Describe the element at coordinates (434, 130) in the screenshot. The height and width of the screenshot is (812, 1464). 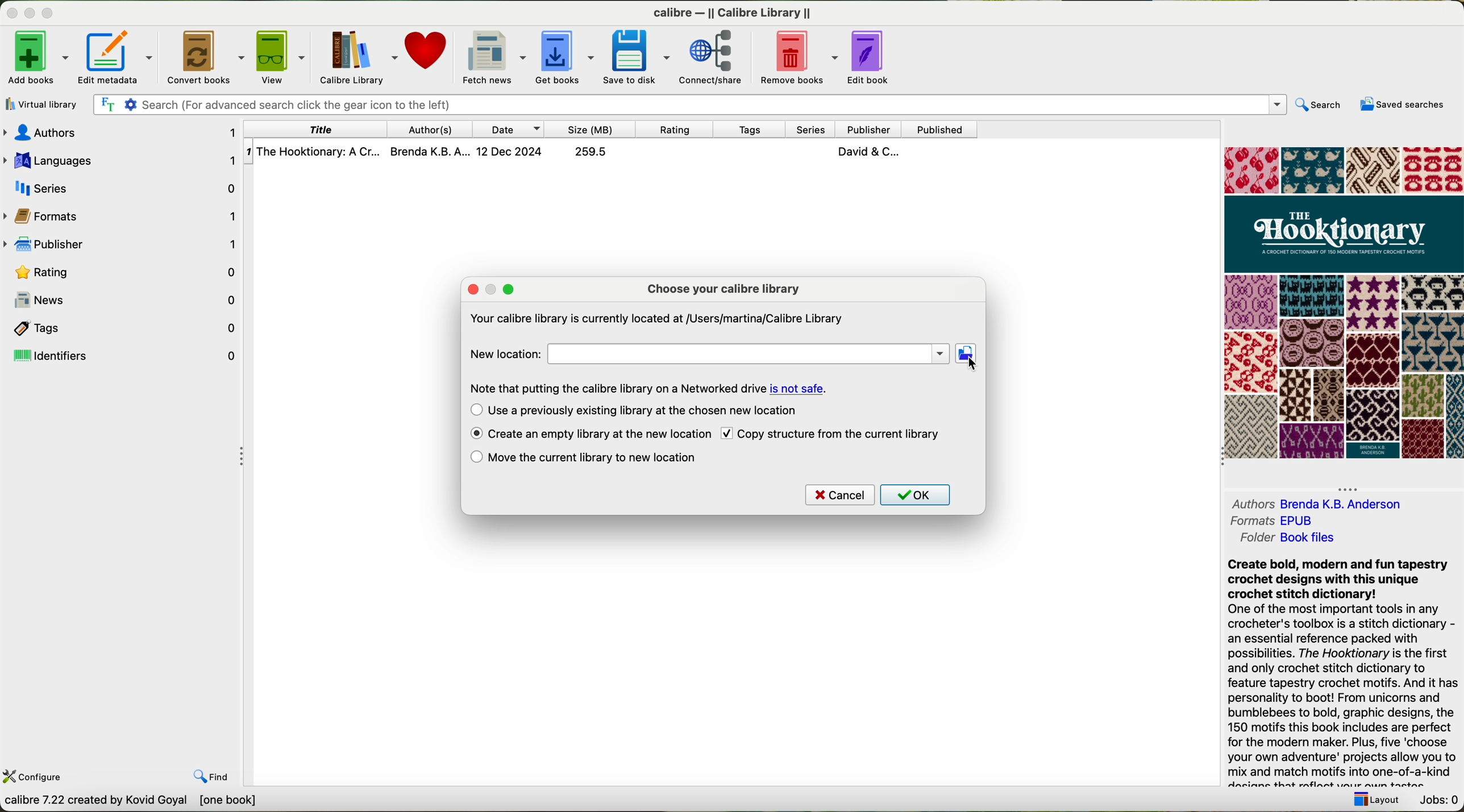
I see `authors` at that location.